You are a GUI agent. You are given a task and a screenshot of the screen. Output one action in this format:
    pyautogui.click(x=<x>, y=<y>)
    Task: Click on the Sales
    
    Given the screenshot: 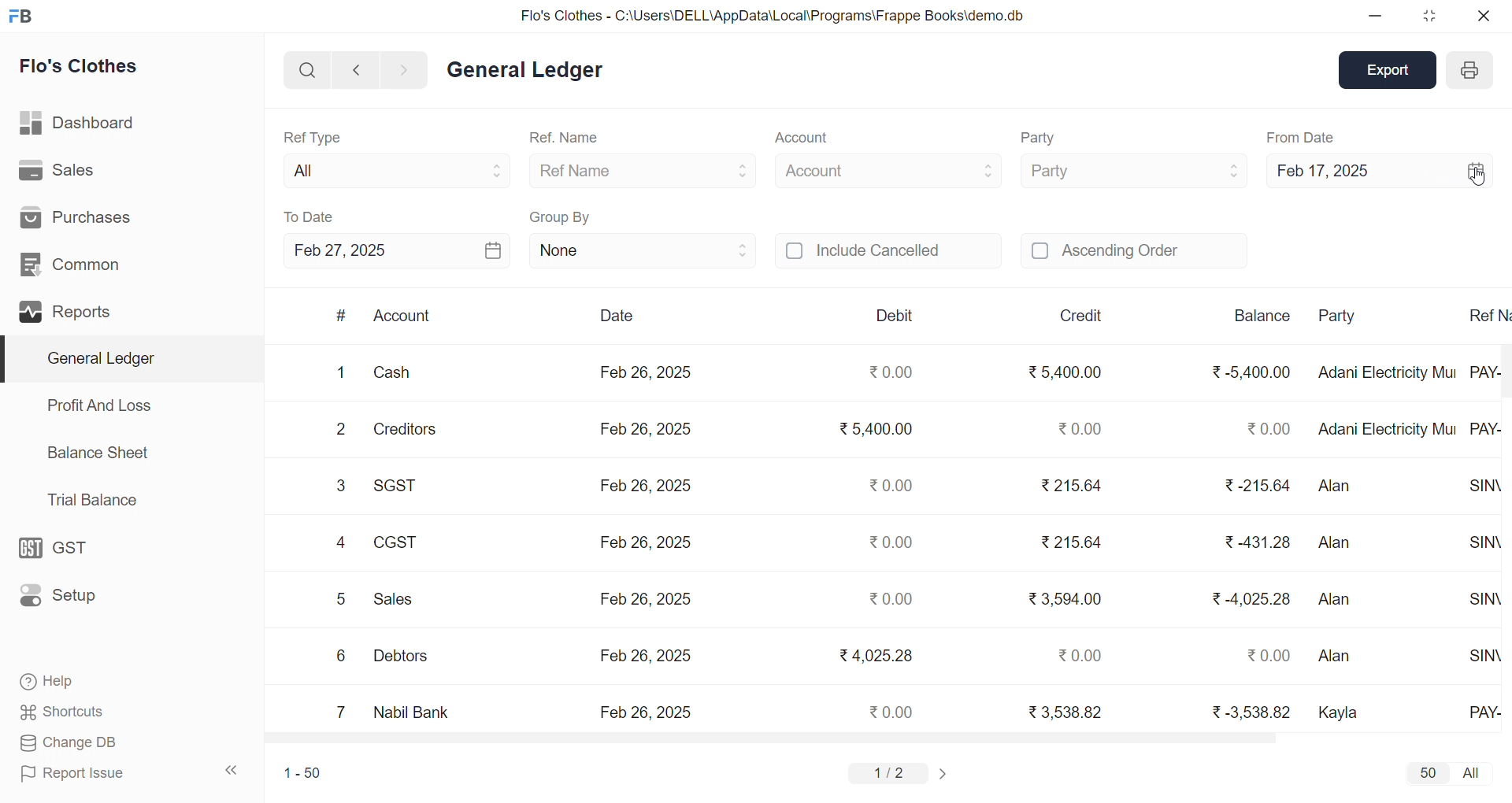 What is the action you would take?
    pyautogui.click(x=398, y=597)
    